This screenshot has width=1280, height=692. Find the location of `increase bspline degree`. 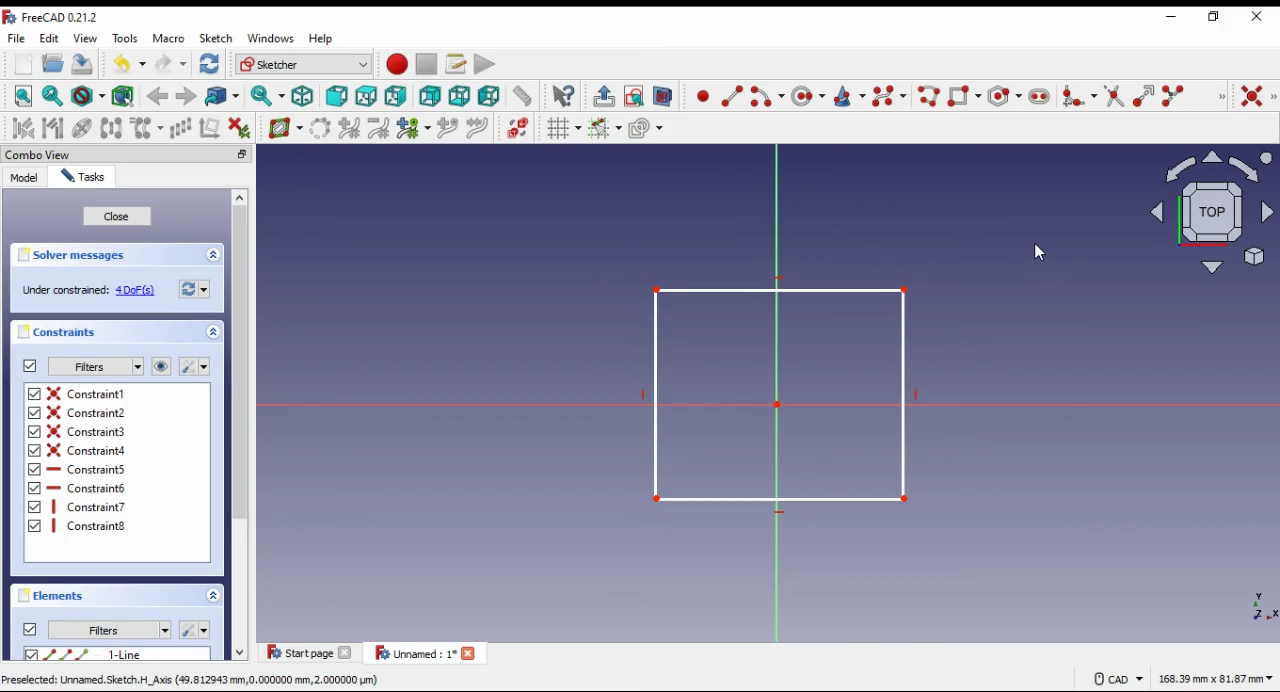

increase bspline degree is located at coordinates (350, 129).